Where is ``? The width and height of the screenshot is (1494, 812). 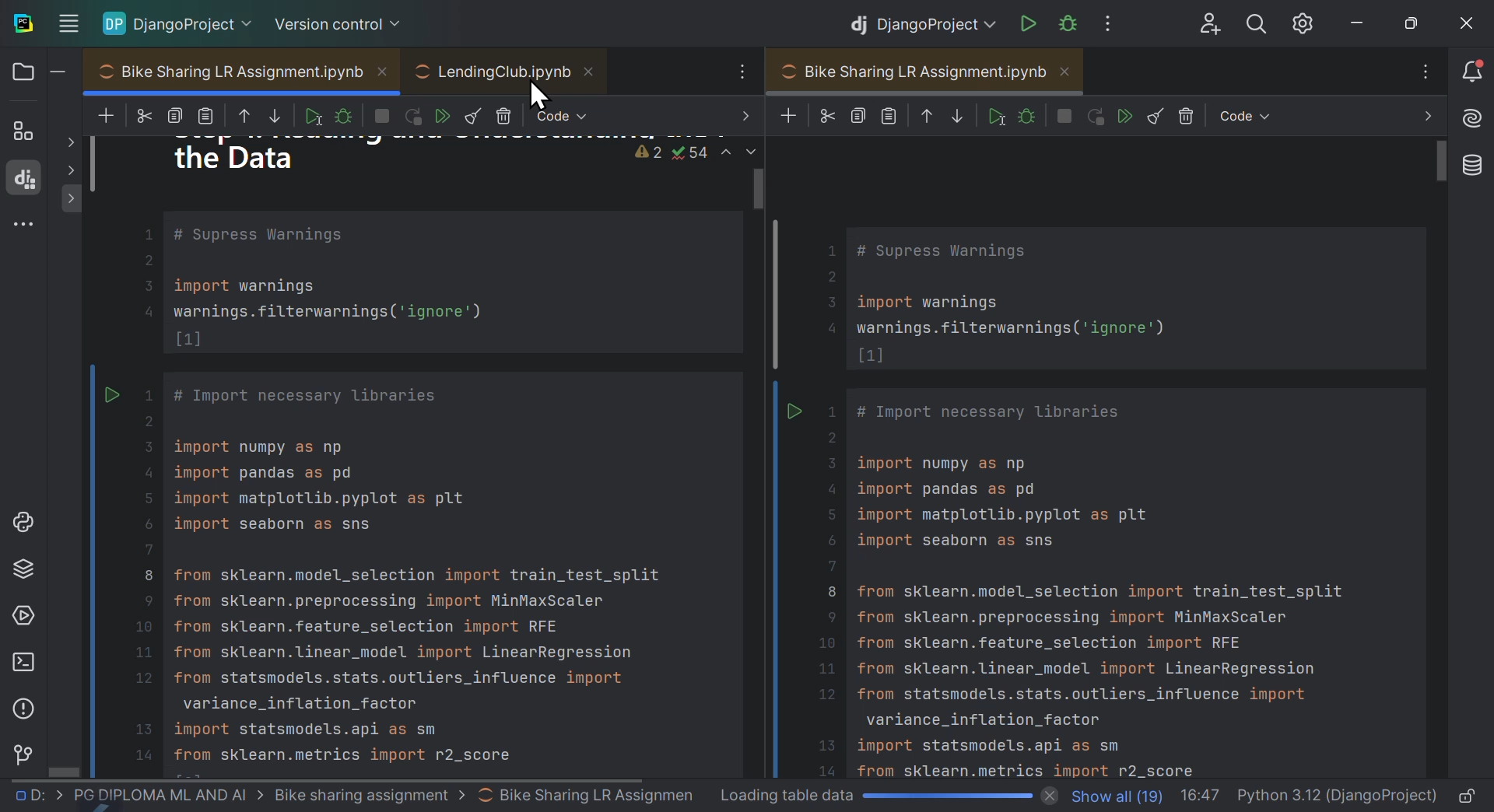  is located at coordinates (72, 22).